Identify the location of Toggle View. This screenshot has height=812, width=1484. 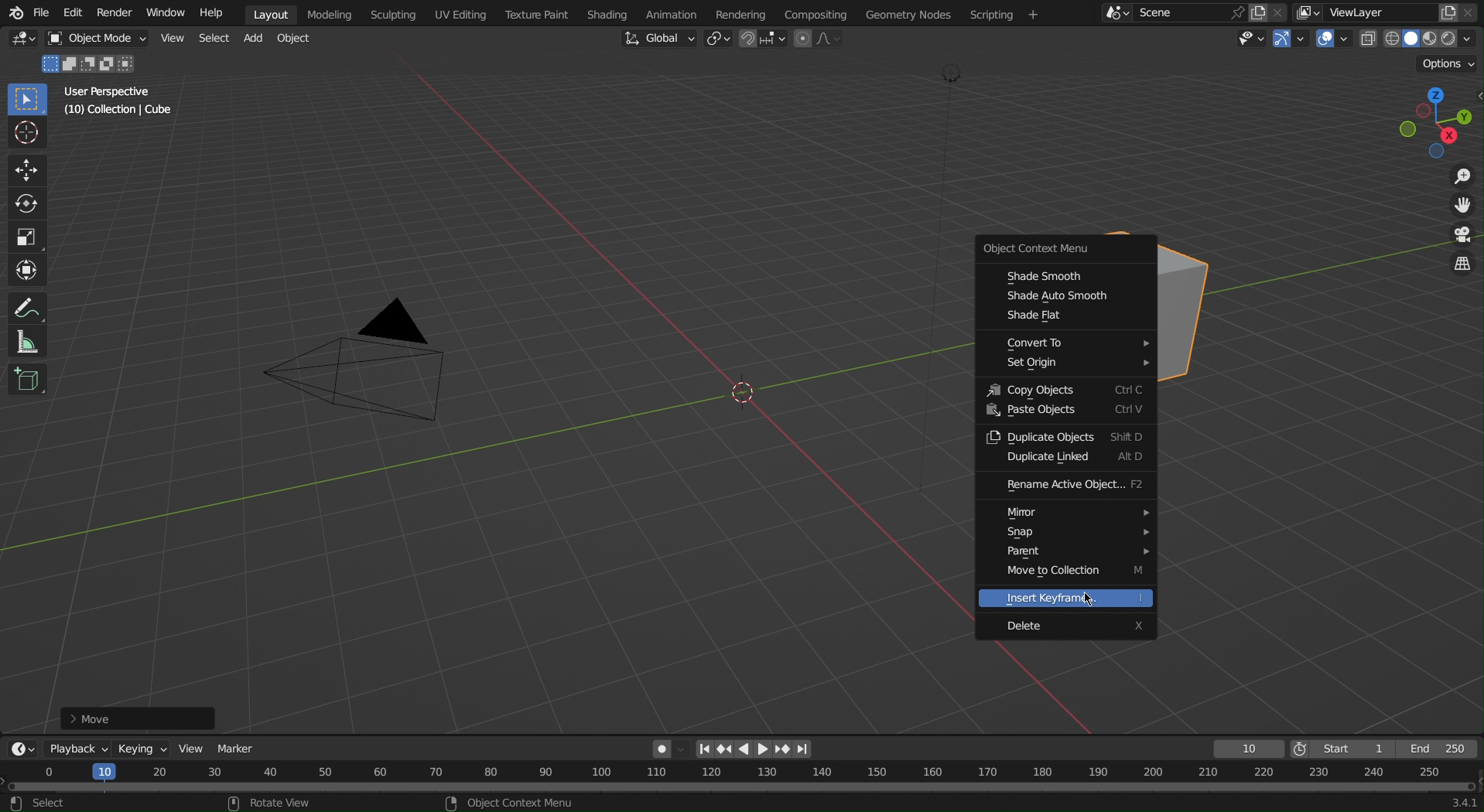
(1460, 266).